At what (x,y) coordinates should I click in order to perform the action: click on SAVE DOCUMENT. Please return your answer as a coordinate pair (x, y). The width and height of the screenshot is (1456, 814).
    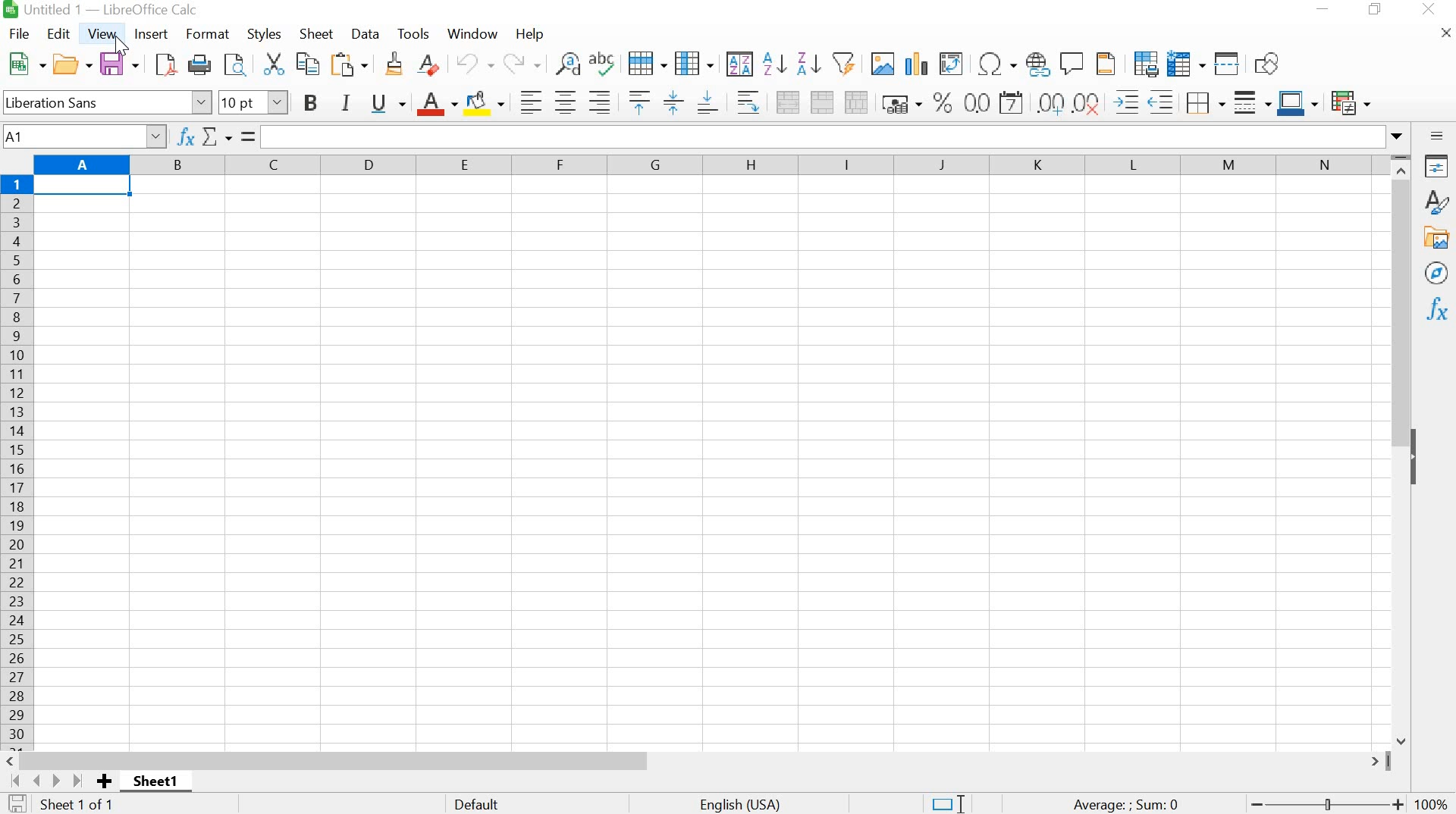
    Looking at the image, I should click on (19, 804).